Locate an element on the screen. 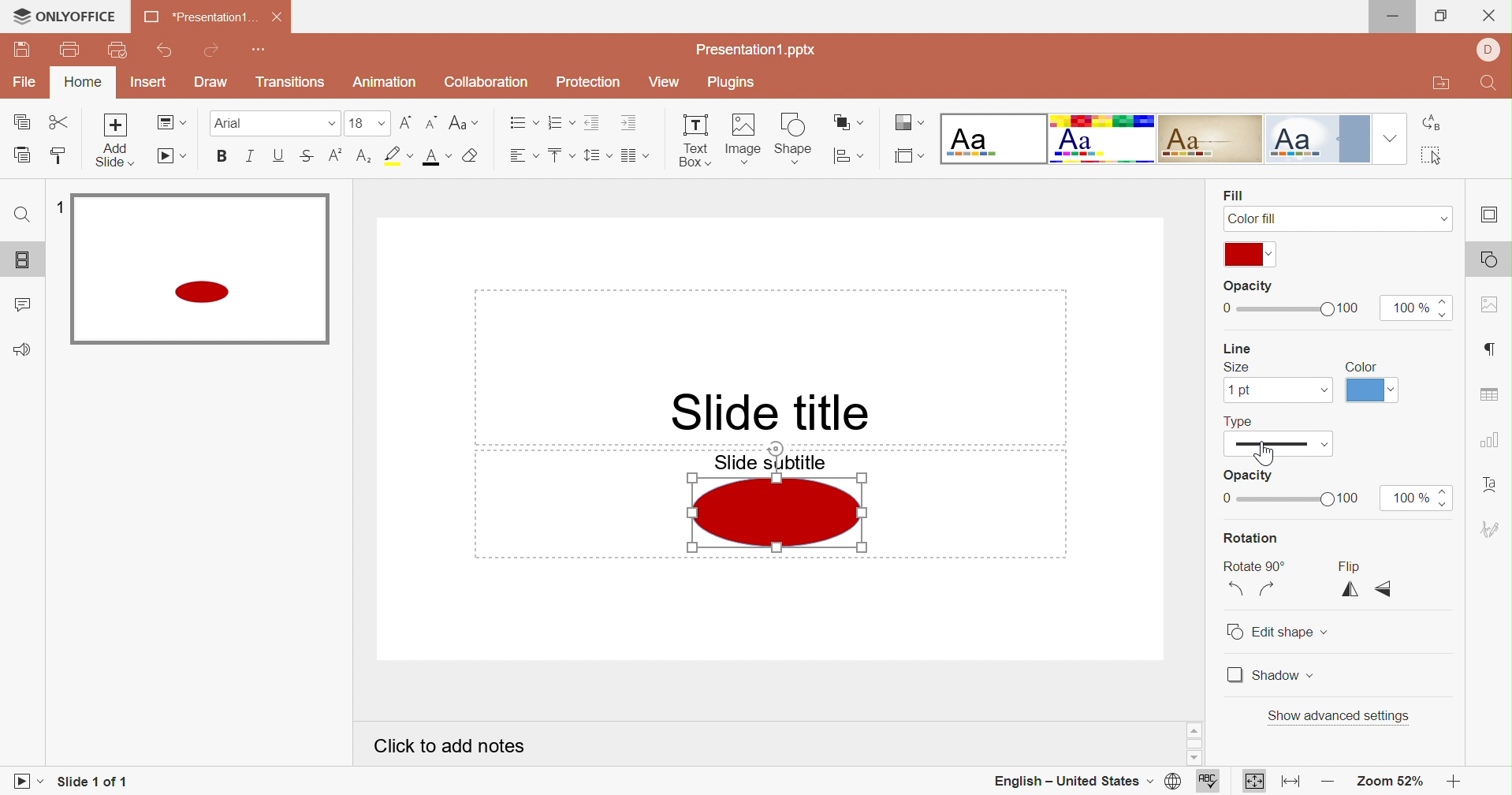 This screenshot has width=1512, height=795. Numbering is located at coordinates (560, 123).